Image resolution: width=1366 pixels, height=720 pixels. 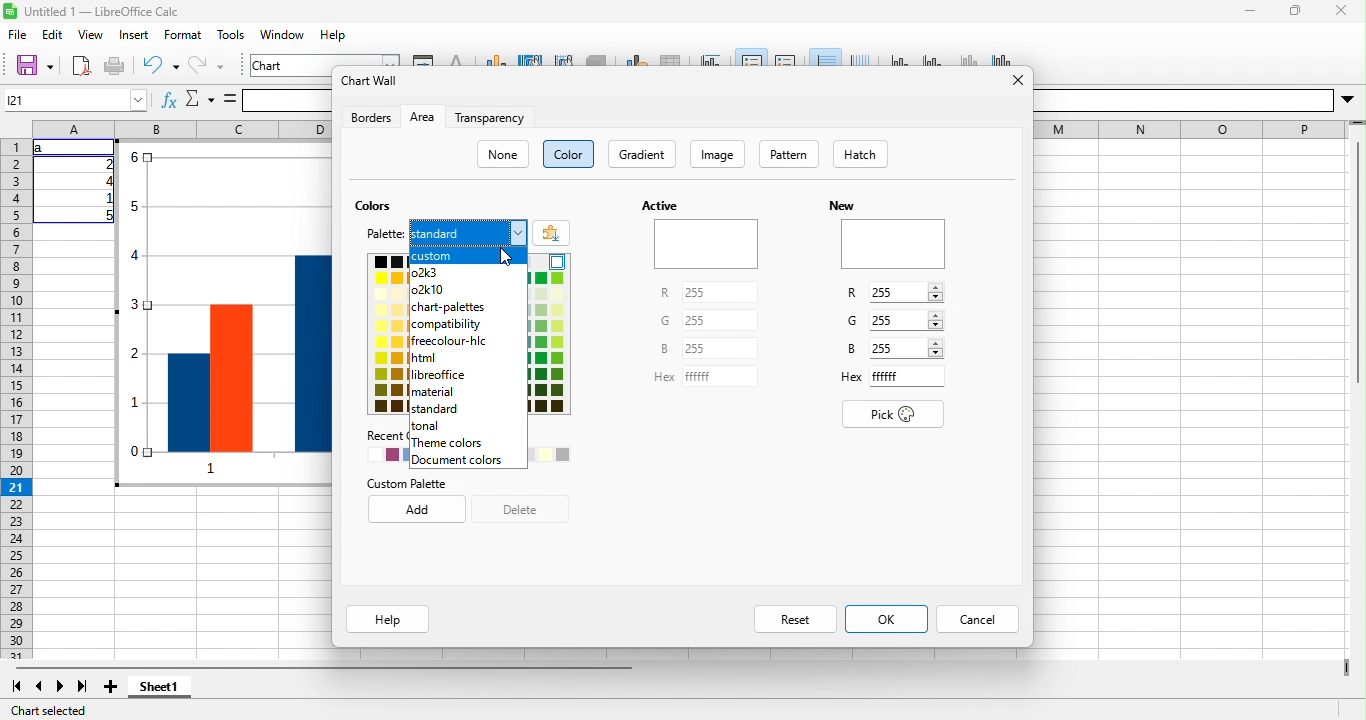 What do you see at coordinates (1296, 11) in the screenshot?
I see `maximize` at bounding box center [1296, 11].